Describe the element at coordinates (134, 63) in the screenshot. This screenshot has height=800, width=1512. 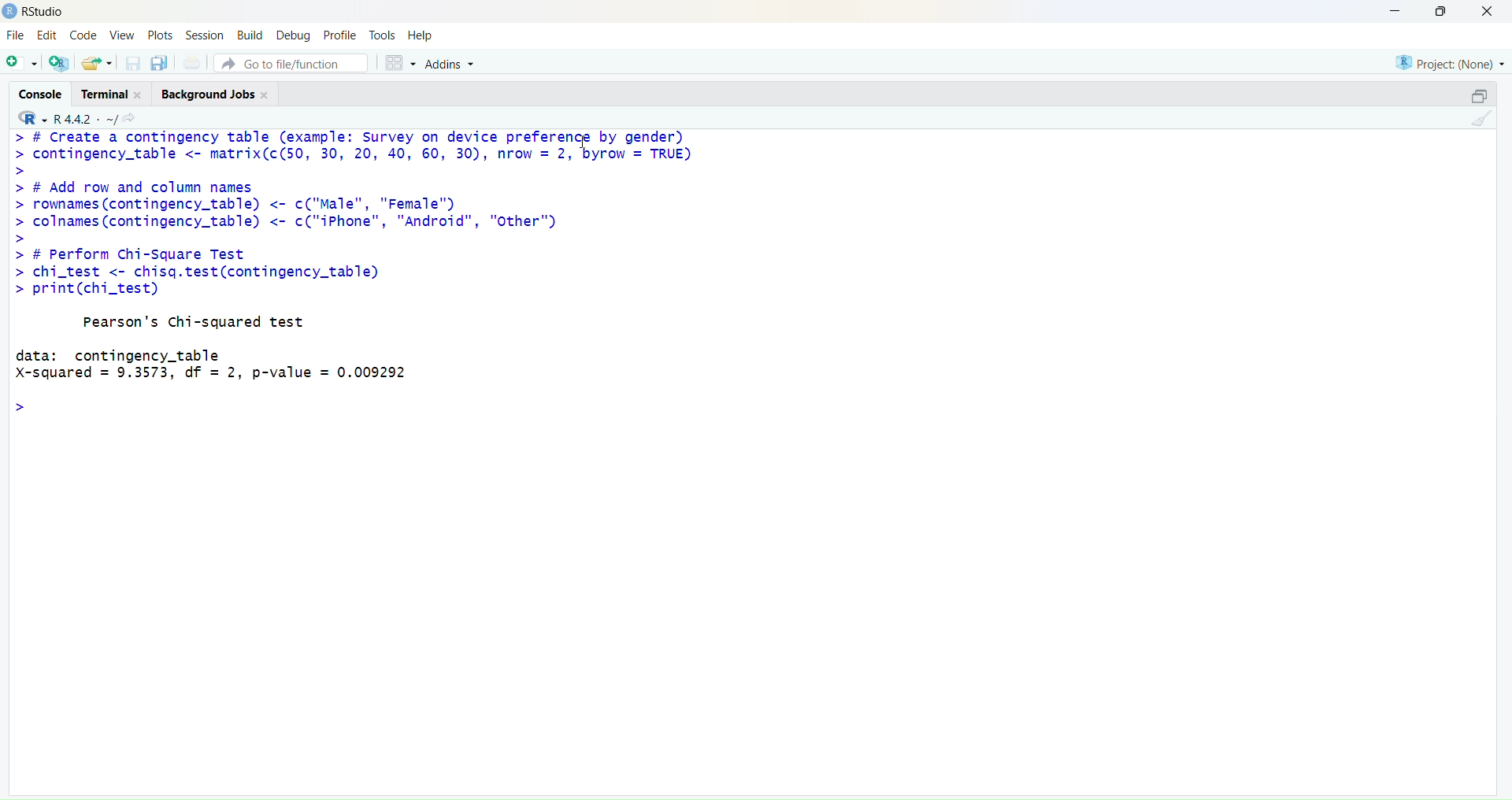
I see `save` at that location.